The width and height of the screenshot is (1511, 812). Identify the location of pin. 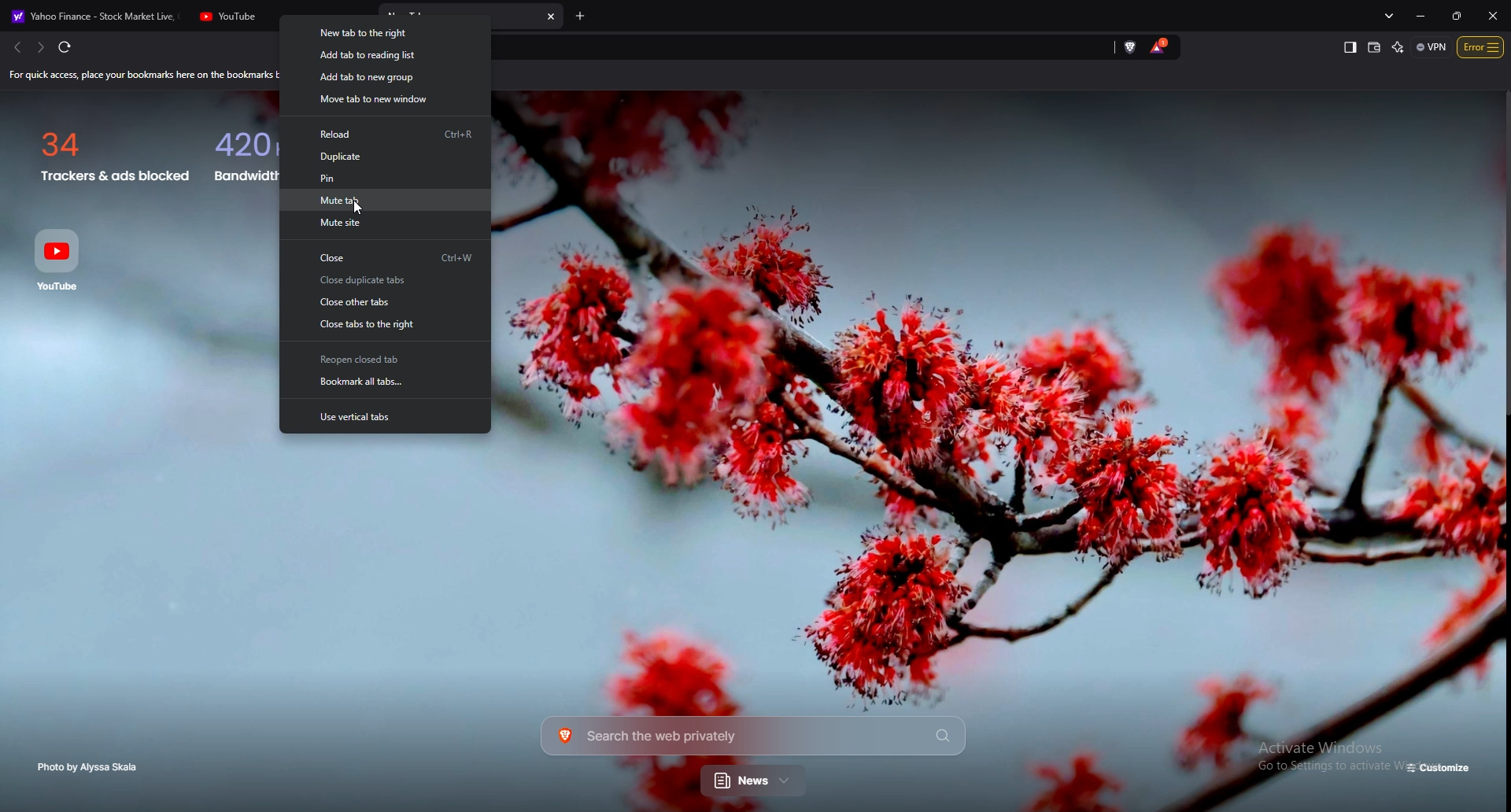
(382, 177).